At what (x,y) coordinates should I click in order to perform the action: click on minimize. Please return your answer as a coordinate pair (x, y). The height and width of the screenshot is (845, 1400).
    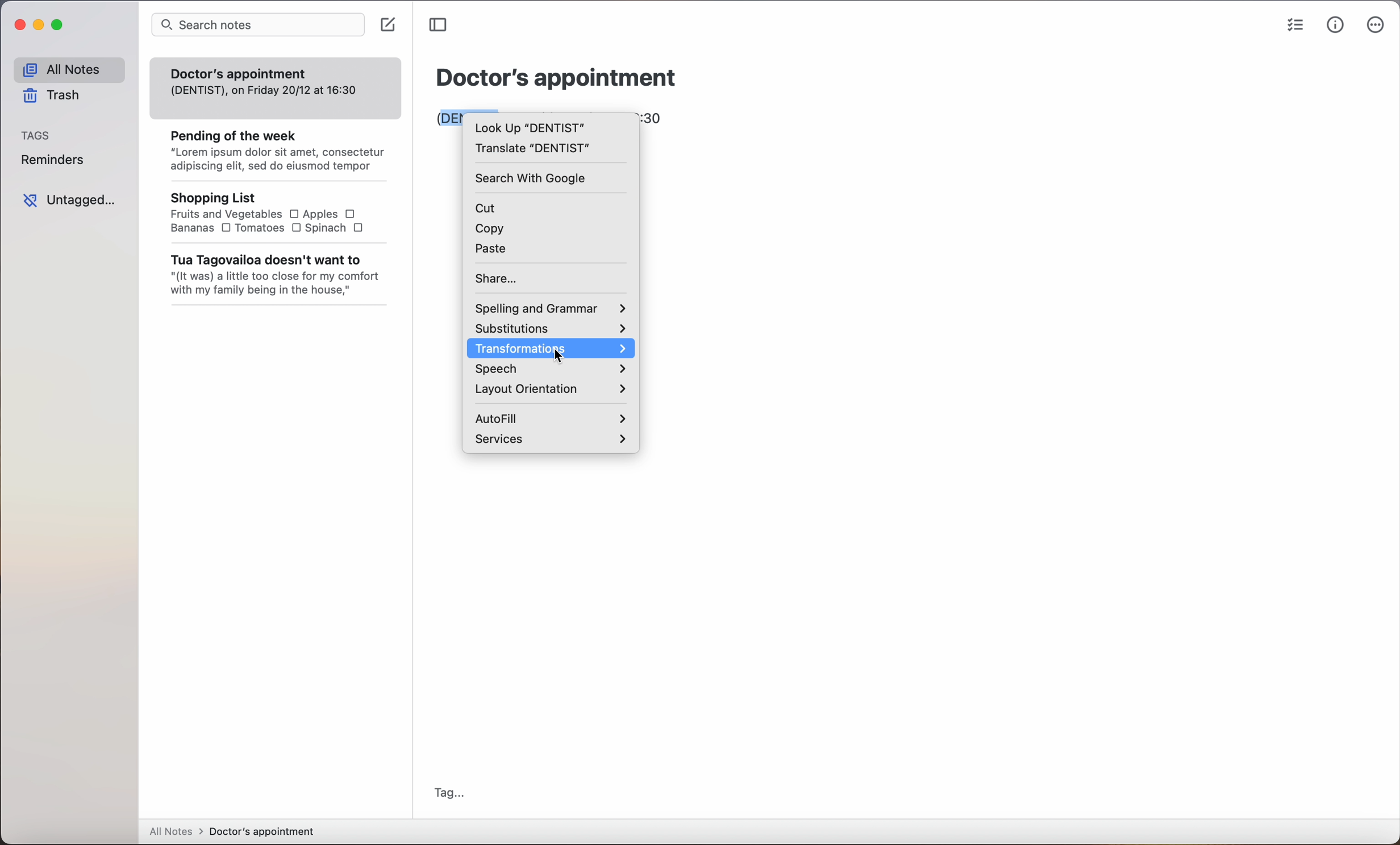
    Looking at the image, I should click on (39, 25).